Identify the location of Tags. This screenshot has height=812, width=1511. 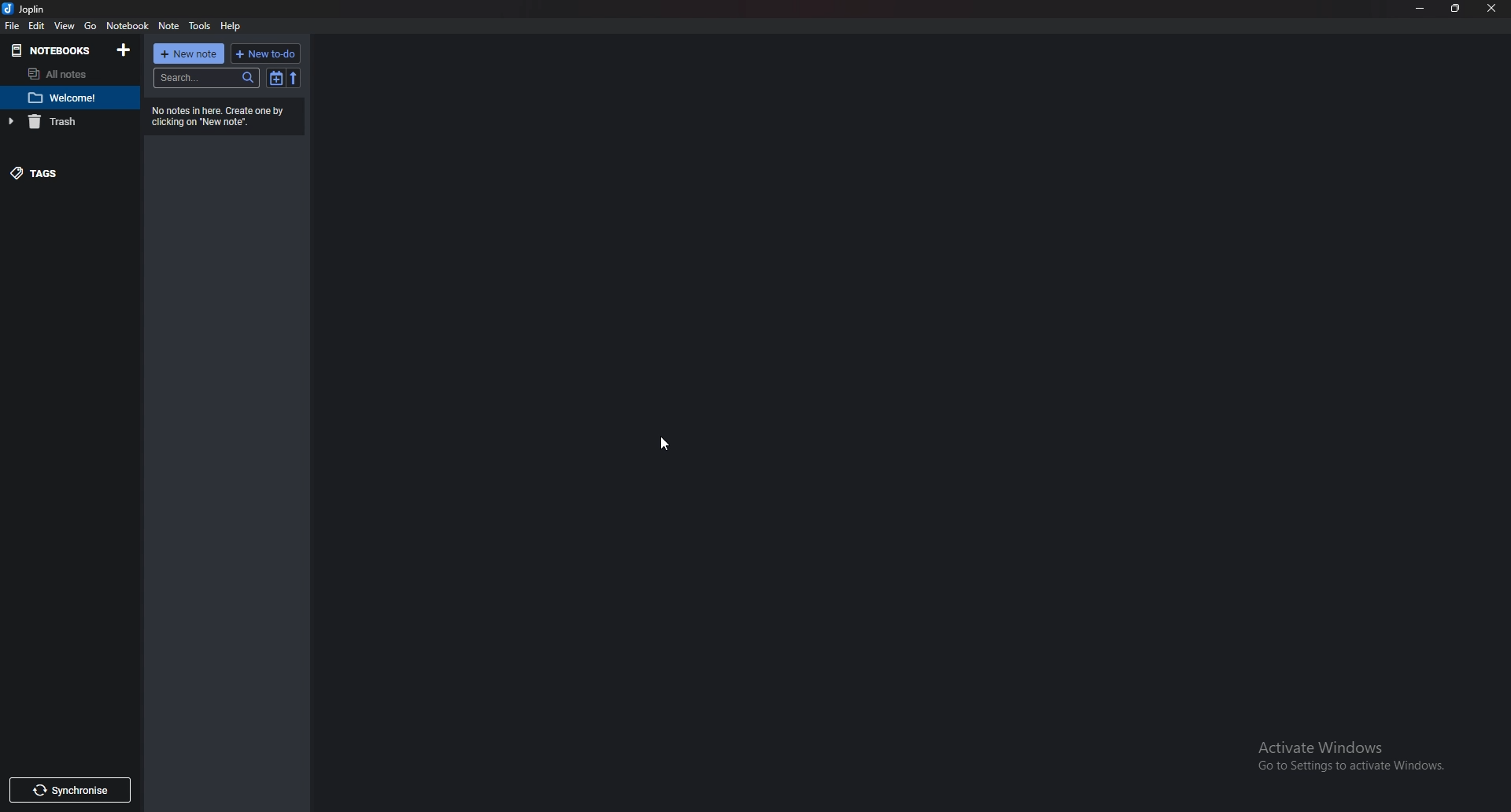
(61, 174).